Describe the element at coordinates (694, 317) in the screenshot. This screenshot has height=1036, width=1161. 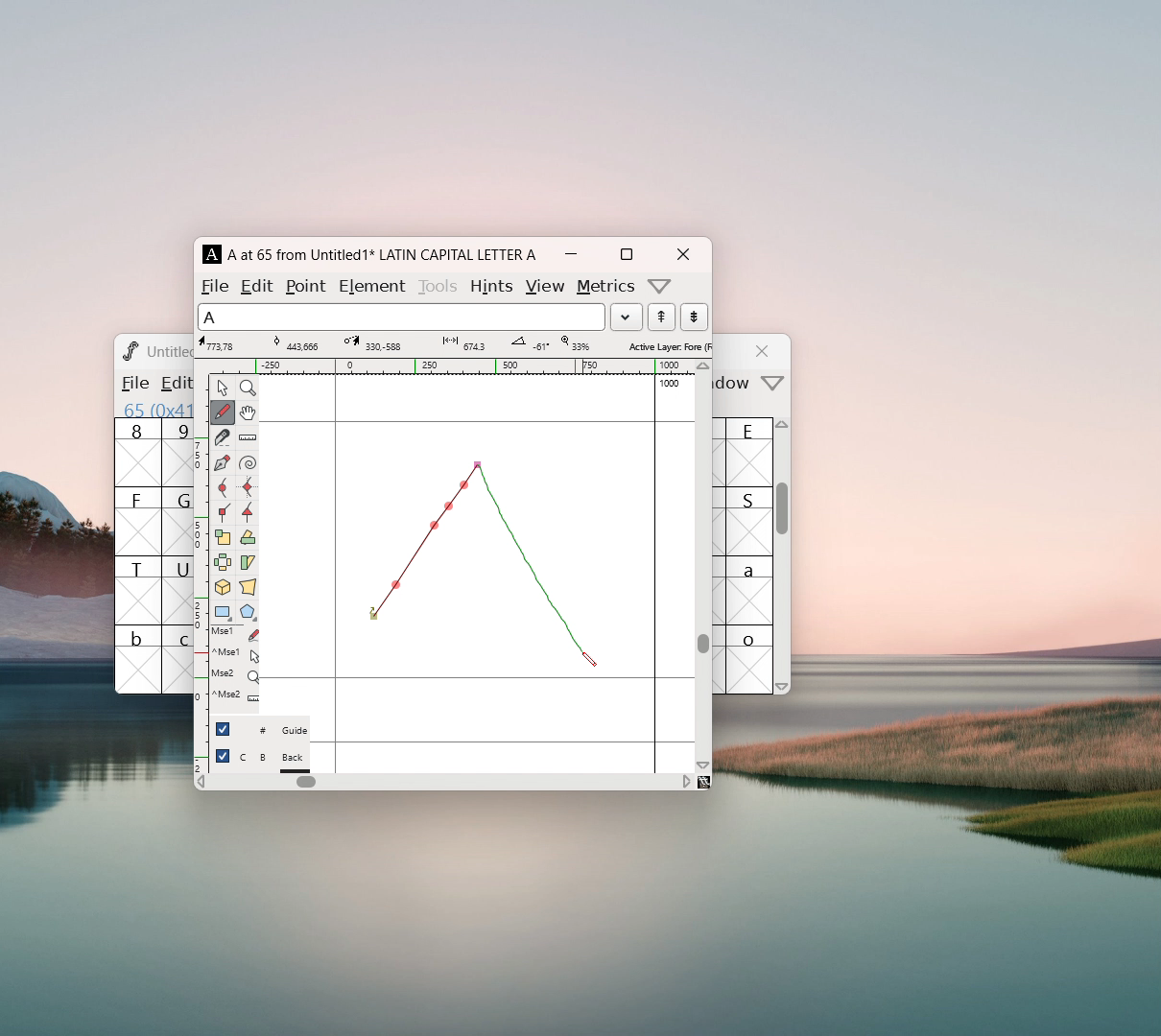
I see `show the previous word in the wordlist` at that location.